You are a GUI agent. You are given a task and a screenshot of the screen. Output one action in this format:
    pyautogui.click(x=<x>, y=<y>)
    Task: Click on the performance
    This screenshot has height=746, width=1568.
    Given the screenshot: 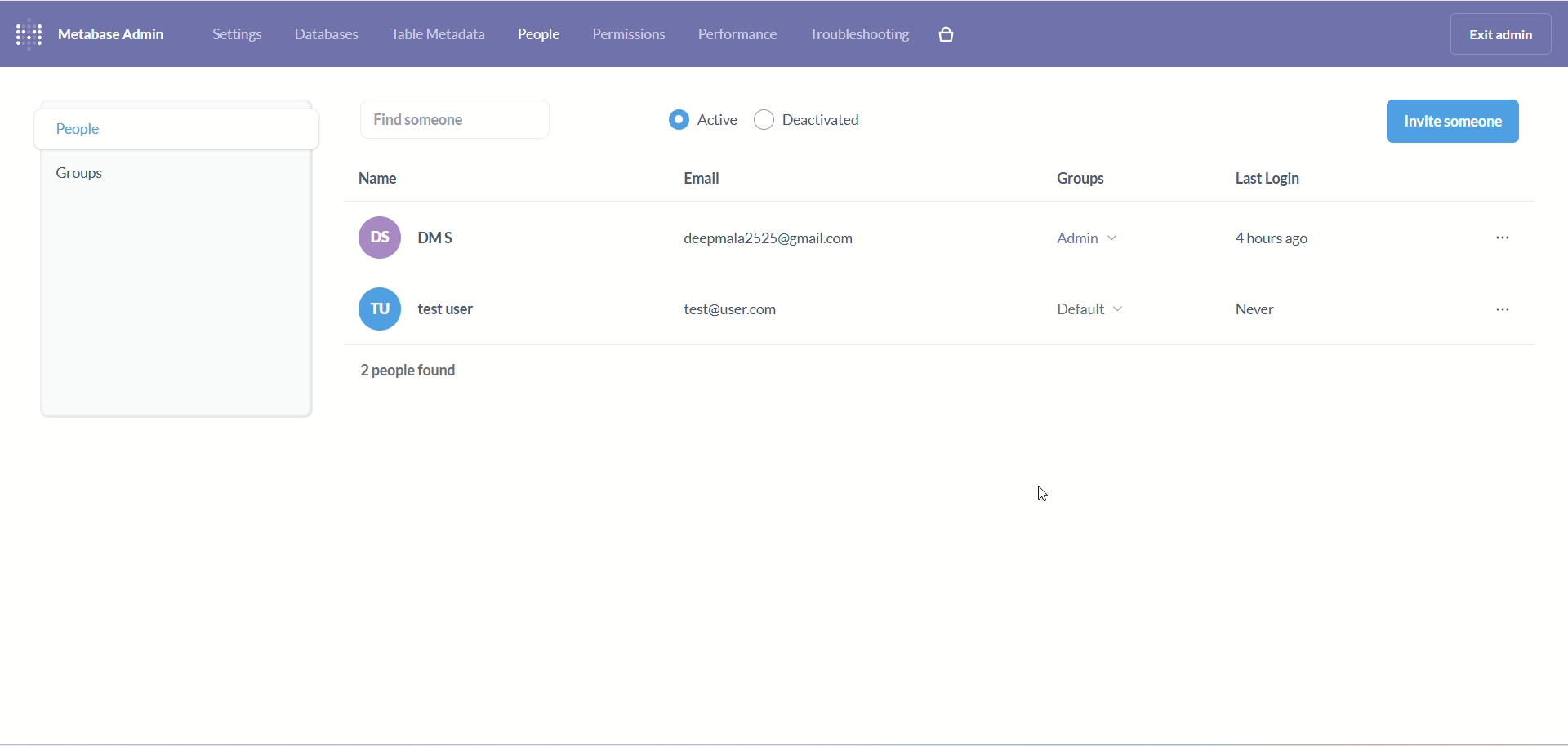 What is the action you would take?
    pyautogui.click(x=741, y=37)
    